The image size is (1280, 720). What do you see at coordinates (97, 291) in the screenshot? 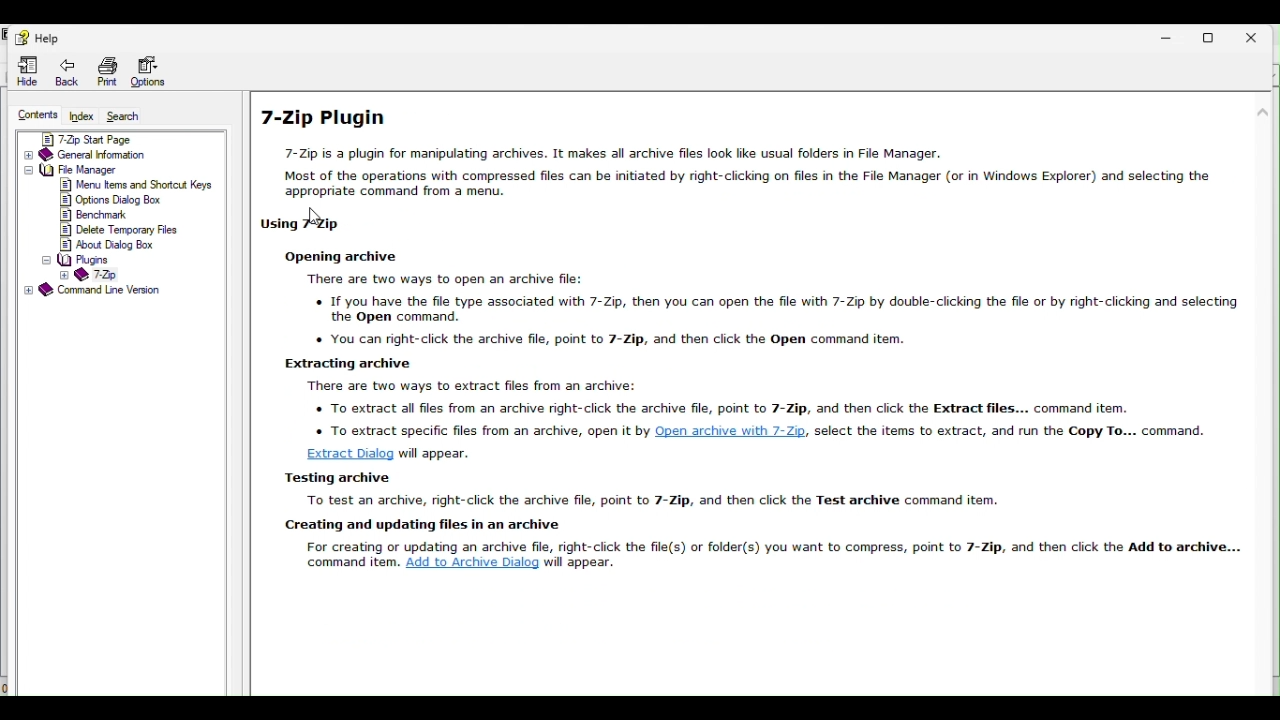
I see `command line version` at bounding box center [97, 291].